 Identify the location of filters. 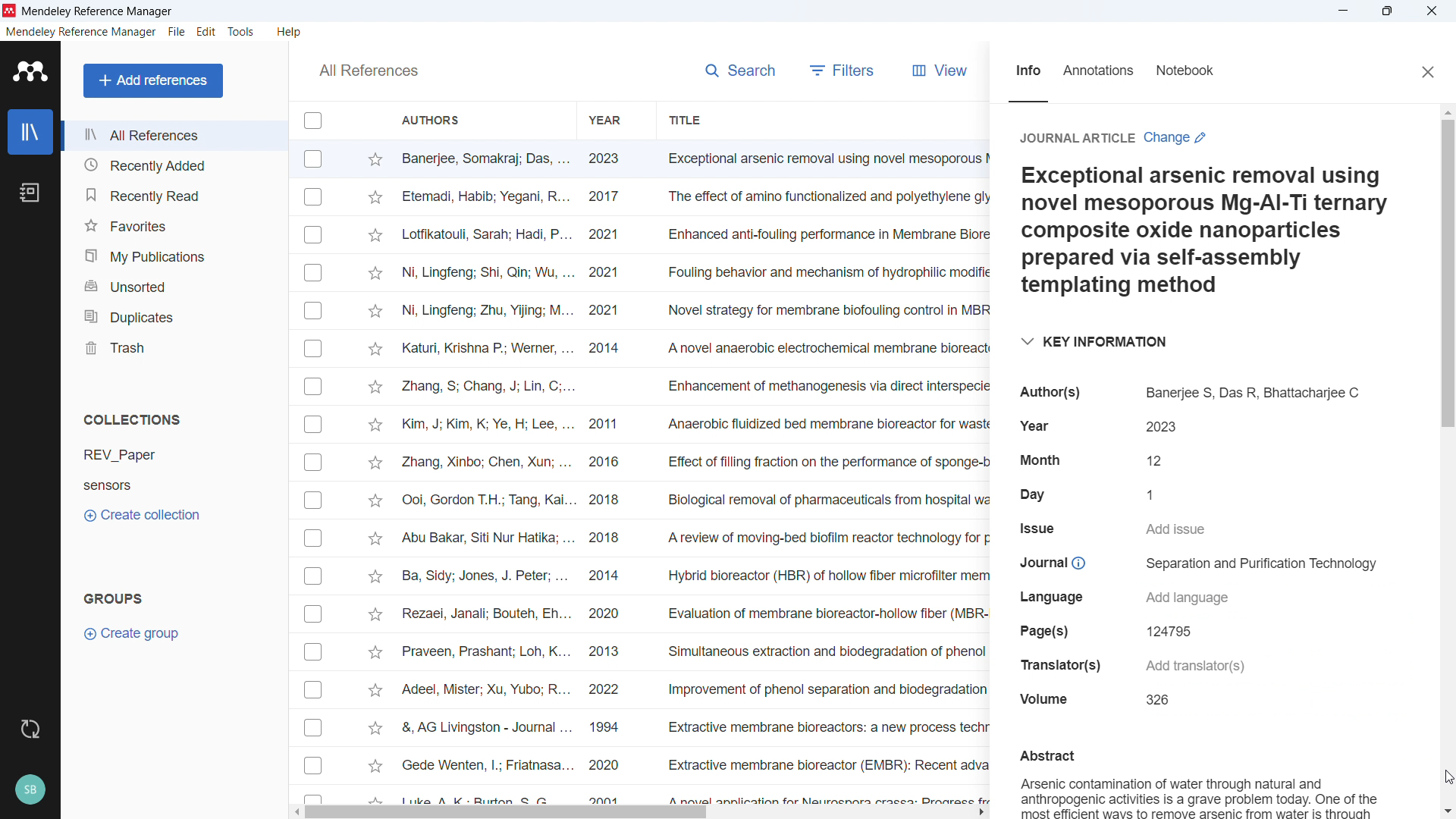
(846, 71).